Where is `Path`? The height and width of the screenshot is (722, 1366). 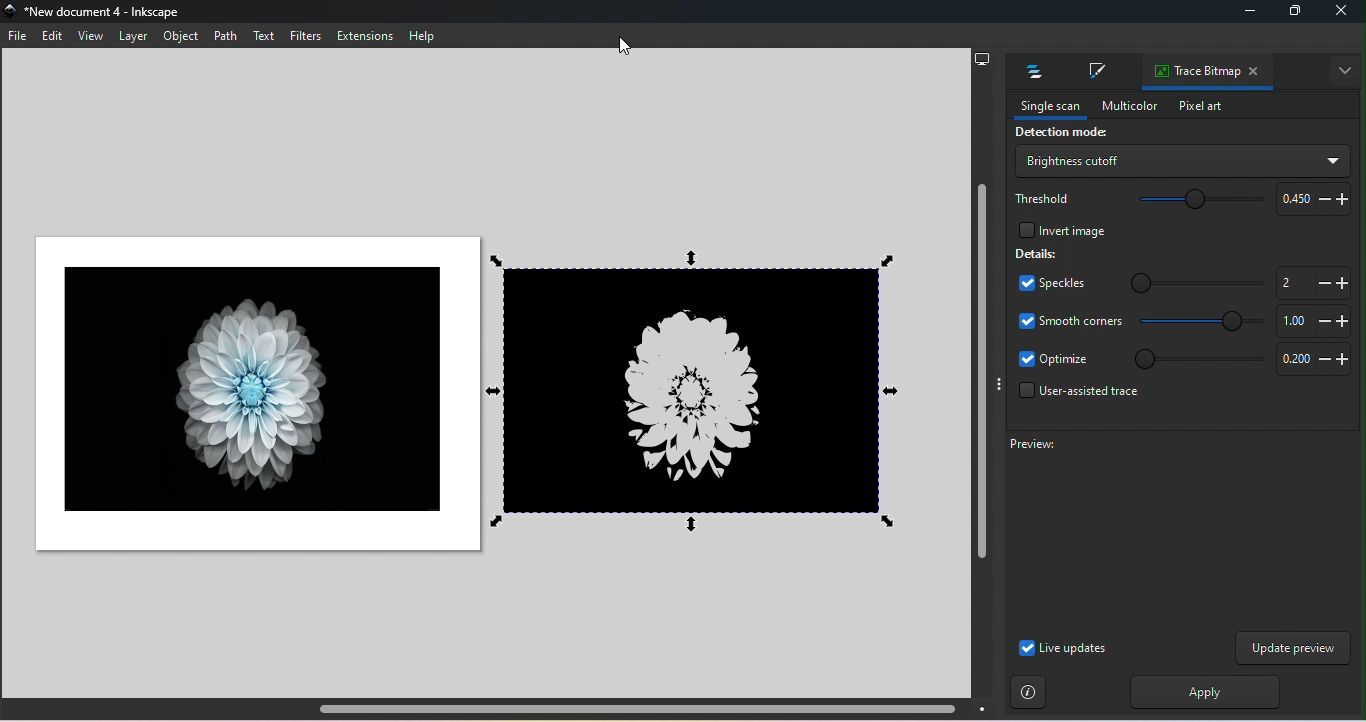 Path is located at coordinates (225, 35).